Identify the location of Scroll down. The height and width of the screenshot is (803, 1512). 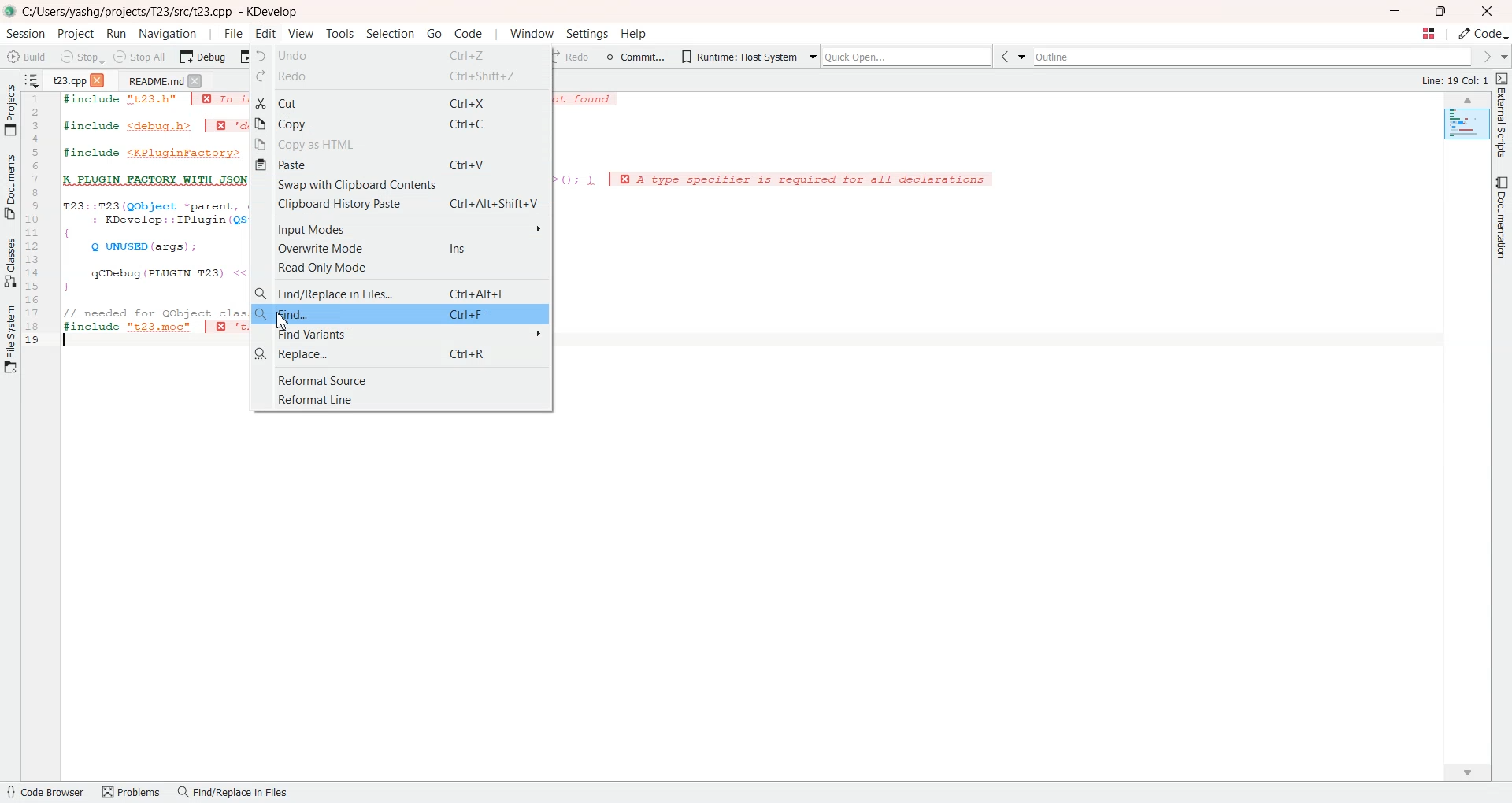
(1476, 769).